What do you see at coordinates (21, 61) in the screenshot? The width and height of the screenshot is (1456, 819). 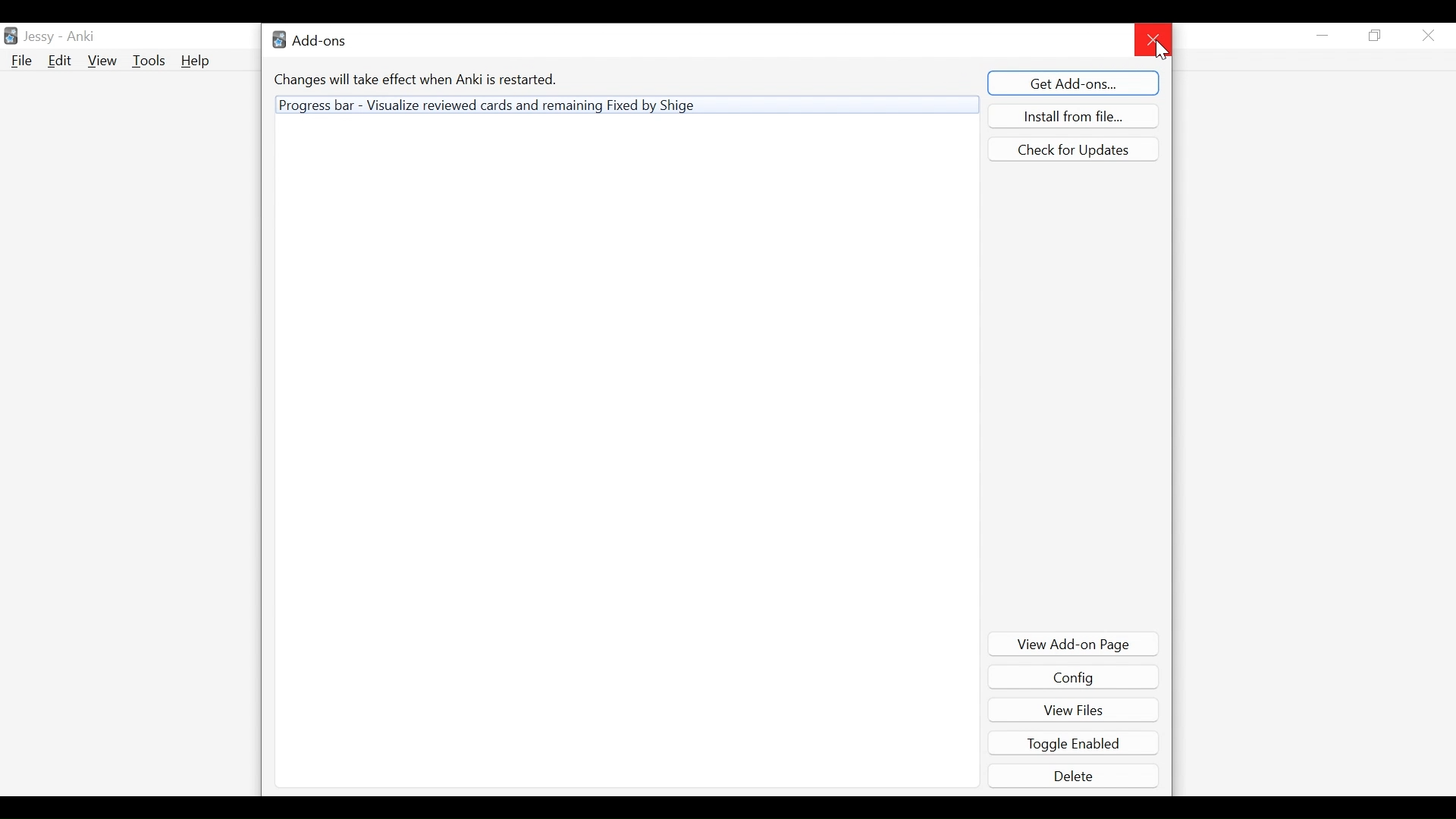 I see `File` at bounding box center [21, 61].